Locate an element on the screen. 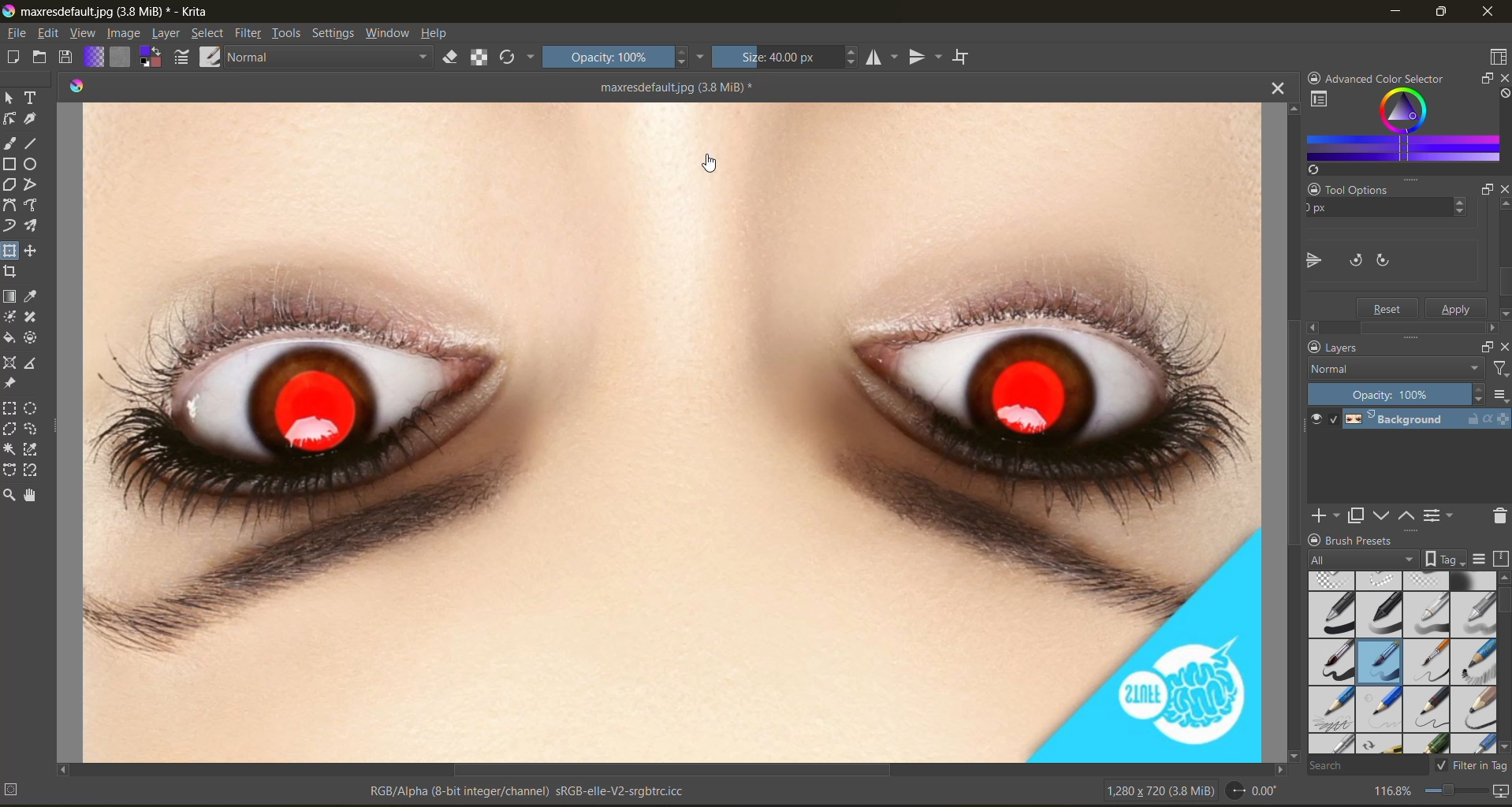 The height and width of the screenshot is (807, 1512). flip horizontally is located at coordinates (1312, 260).